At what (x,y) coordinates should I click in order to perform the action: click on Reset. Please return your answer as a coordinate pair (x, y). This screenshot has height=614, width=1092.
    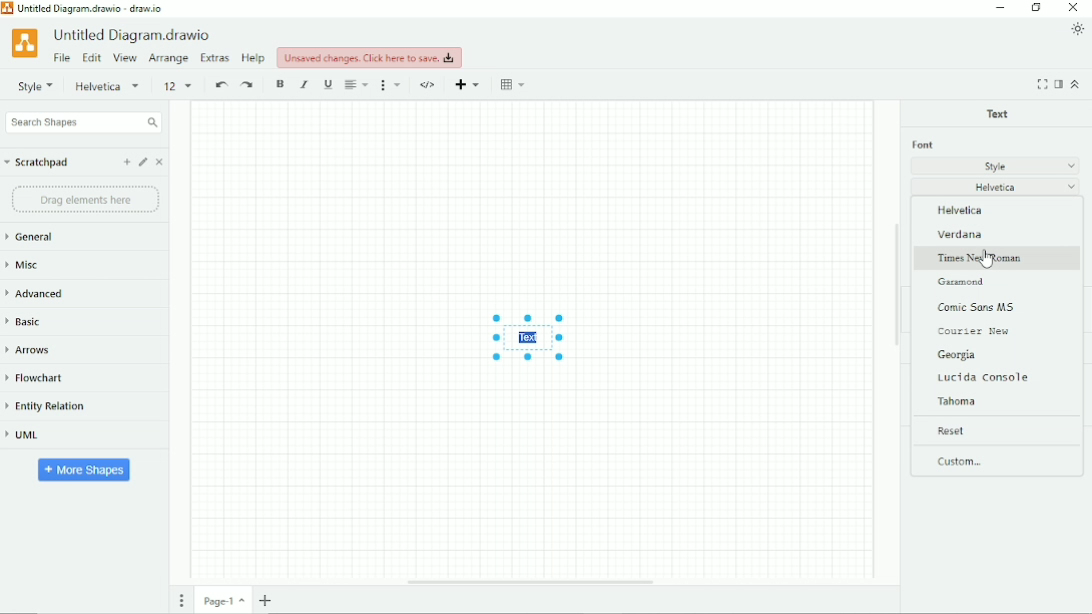
    Looking at the image, I should click on (952, 431).